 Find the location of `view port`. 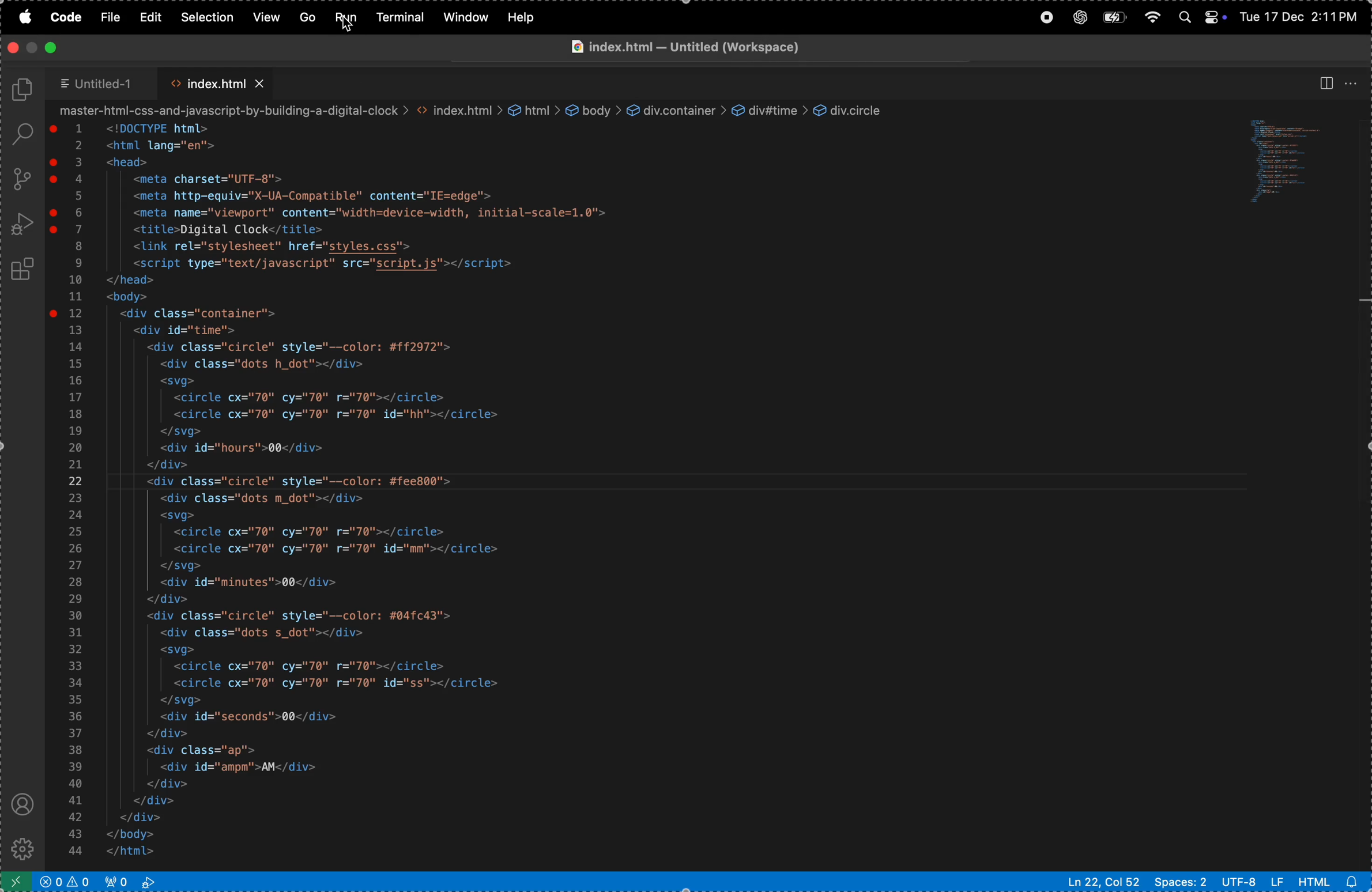

view port is located at coordinates (130, 880).